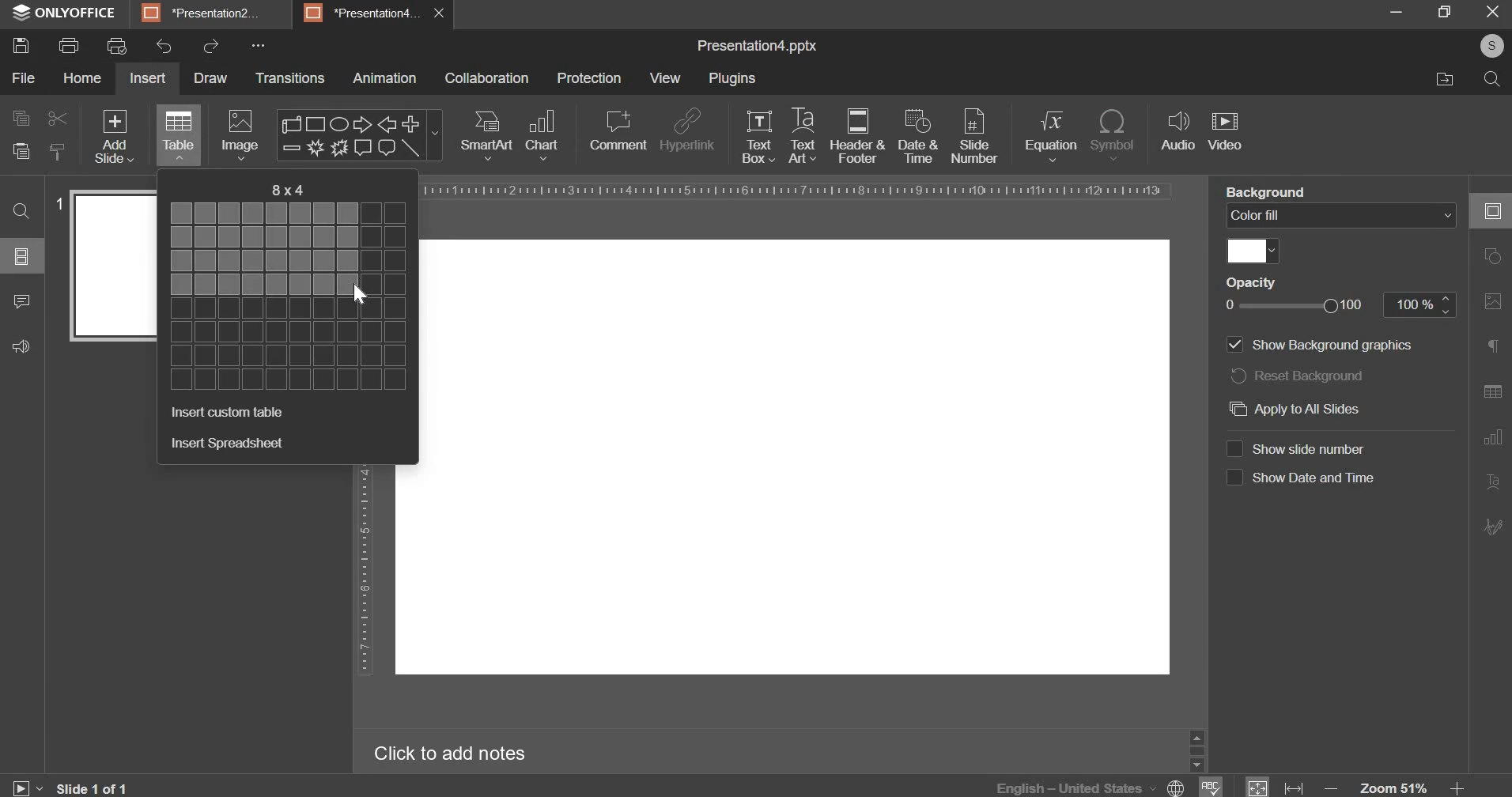 This screenshot has width=1512, height=797. I want to click on show date and time, so click(1302, 477).